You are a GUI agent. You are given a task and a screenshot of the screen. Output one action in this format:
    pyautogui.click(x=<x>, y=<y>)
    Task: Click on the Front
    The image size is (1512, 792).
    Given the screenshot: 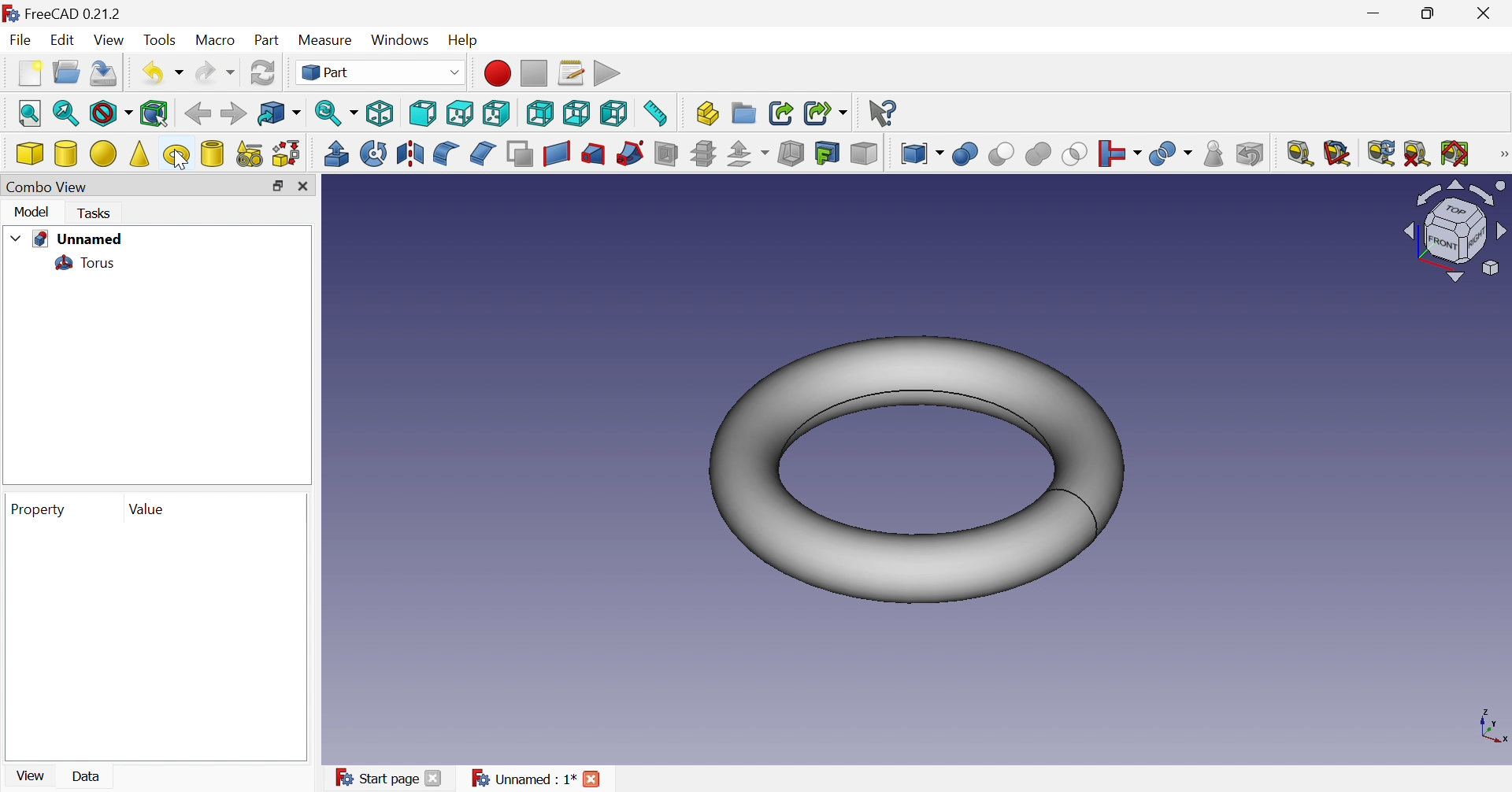 What is the action you would take?
    pyautogui.click(x=424, y=113)
    